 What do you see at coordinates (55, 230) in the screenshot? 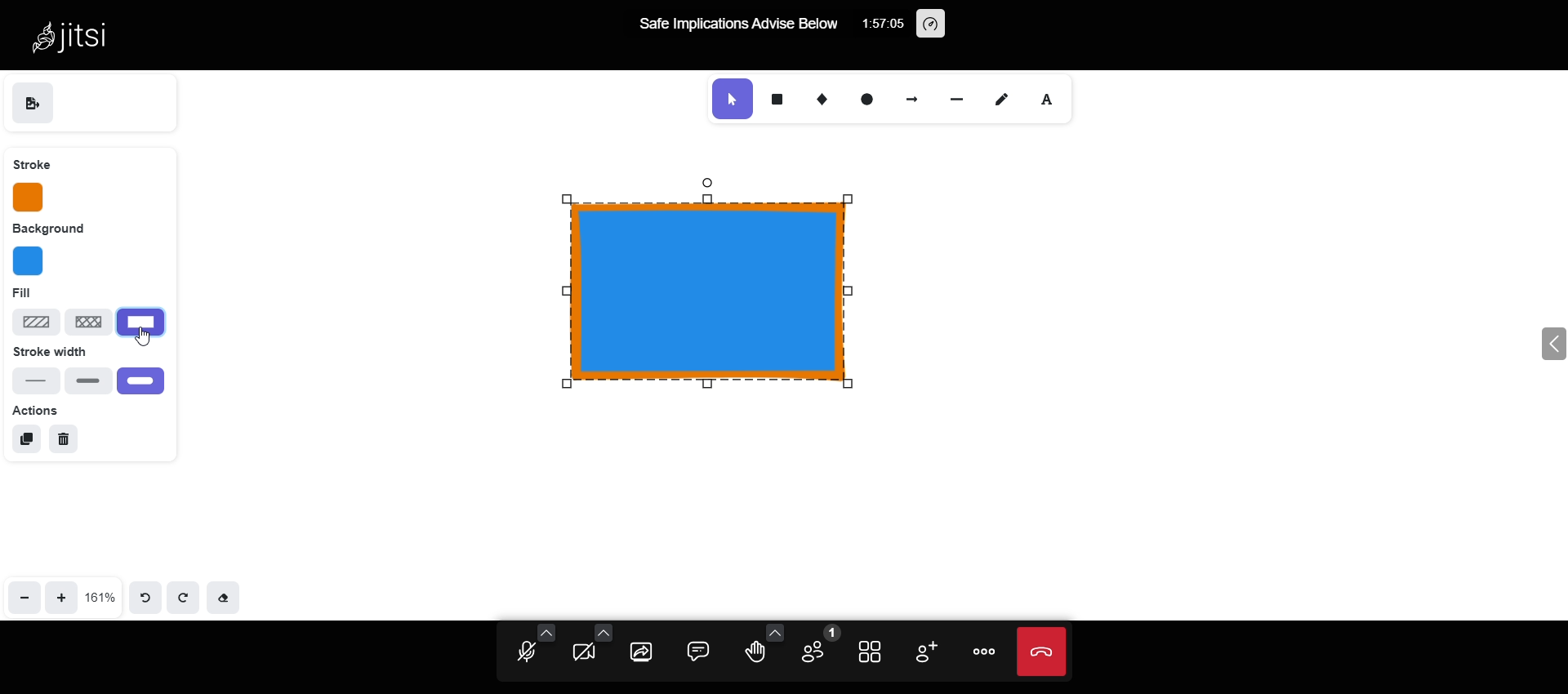
I see `background` at bounding box center [55, 230].